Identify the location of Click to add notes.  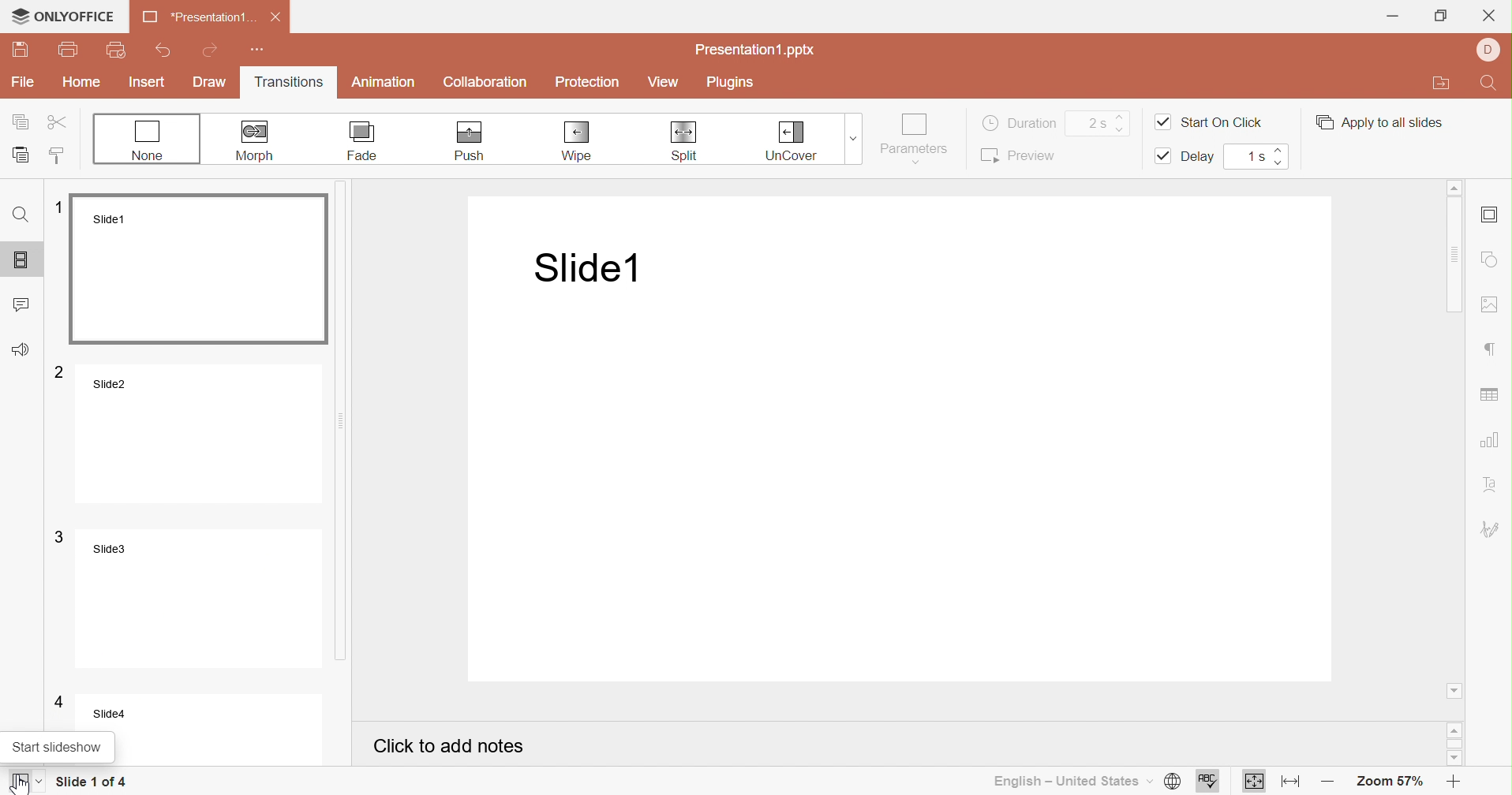
(449, 746).